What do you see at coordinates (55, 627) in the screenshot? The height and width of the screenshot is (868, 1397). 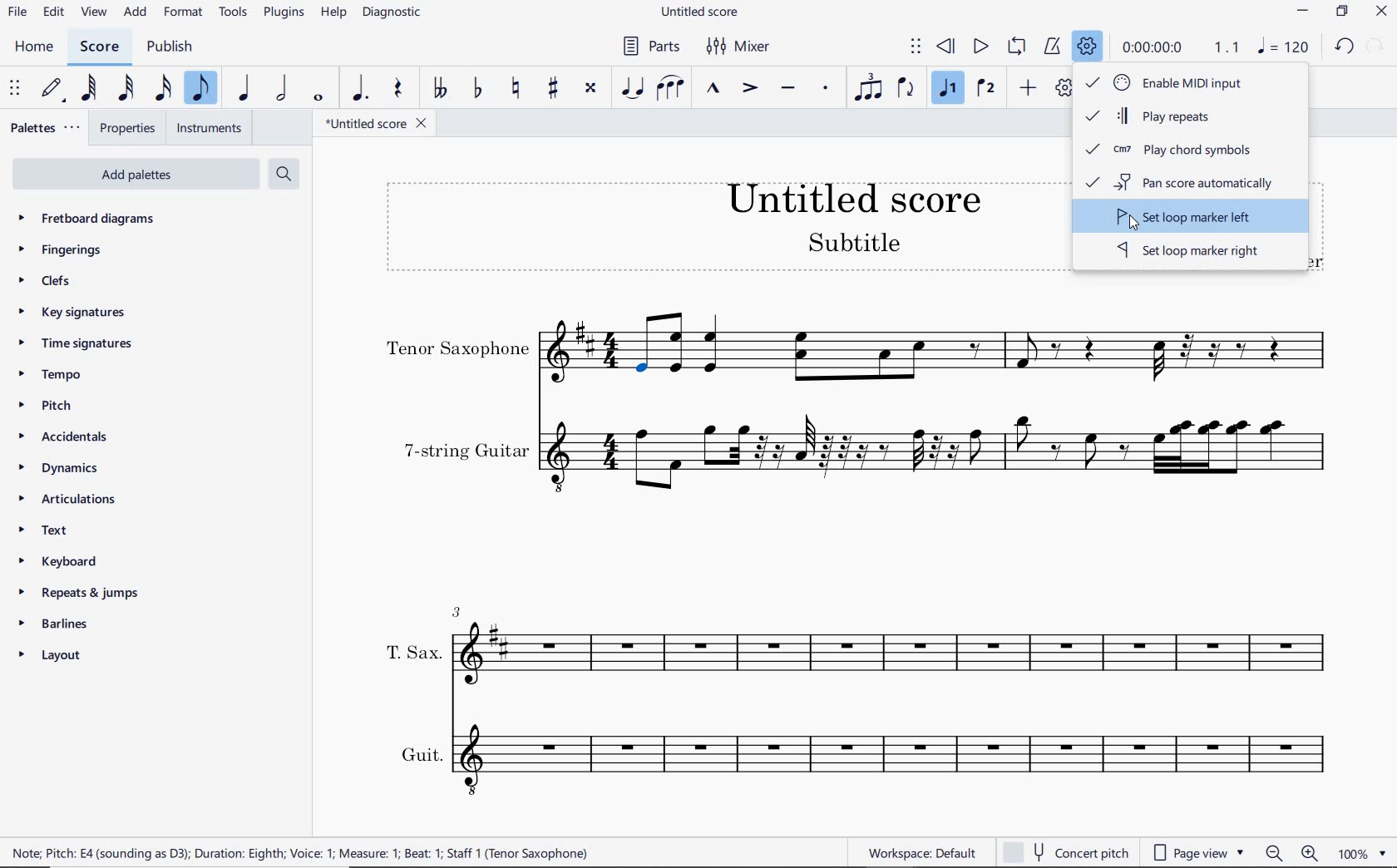 I see `BARLINES` at bounding box center [55, 627].